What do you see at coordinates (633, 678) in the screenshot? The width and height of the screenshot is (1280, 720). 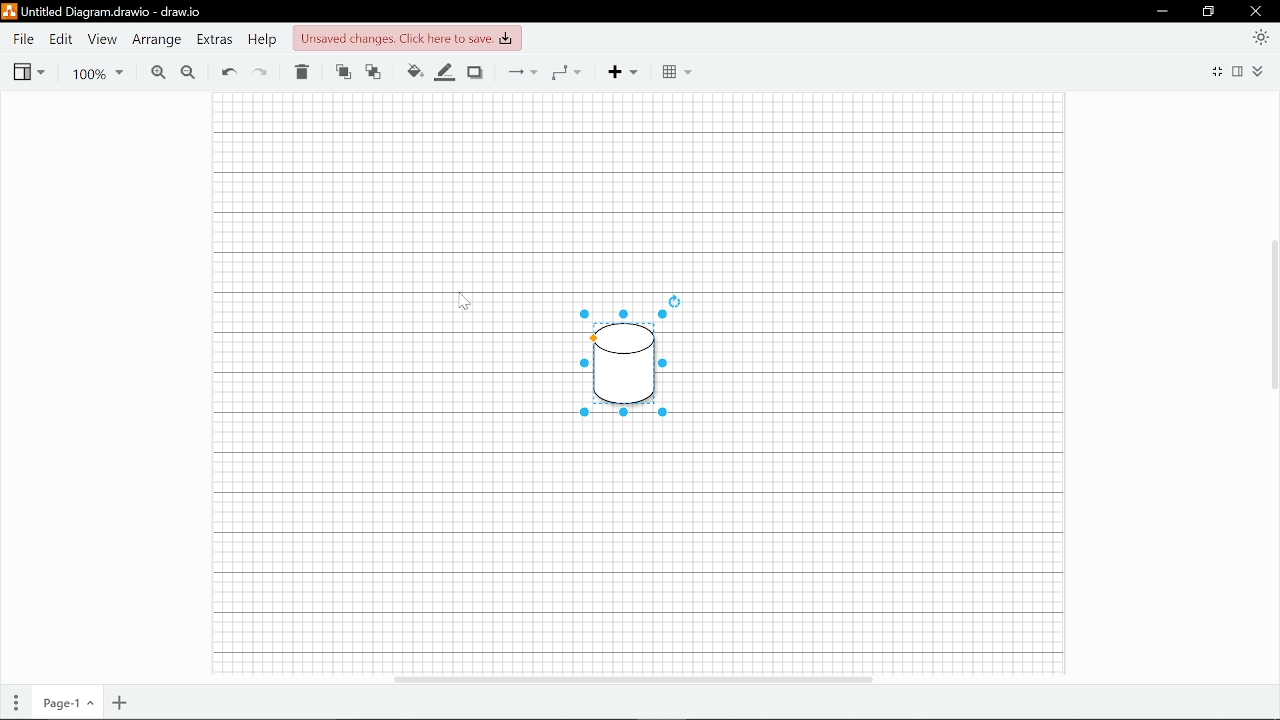 I see `Horizontal scrollbar` at bounding box center [633, 678].